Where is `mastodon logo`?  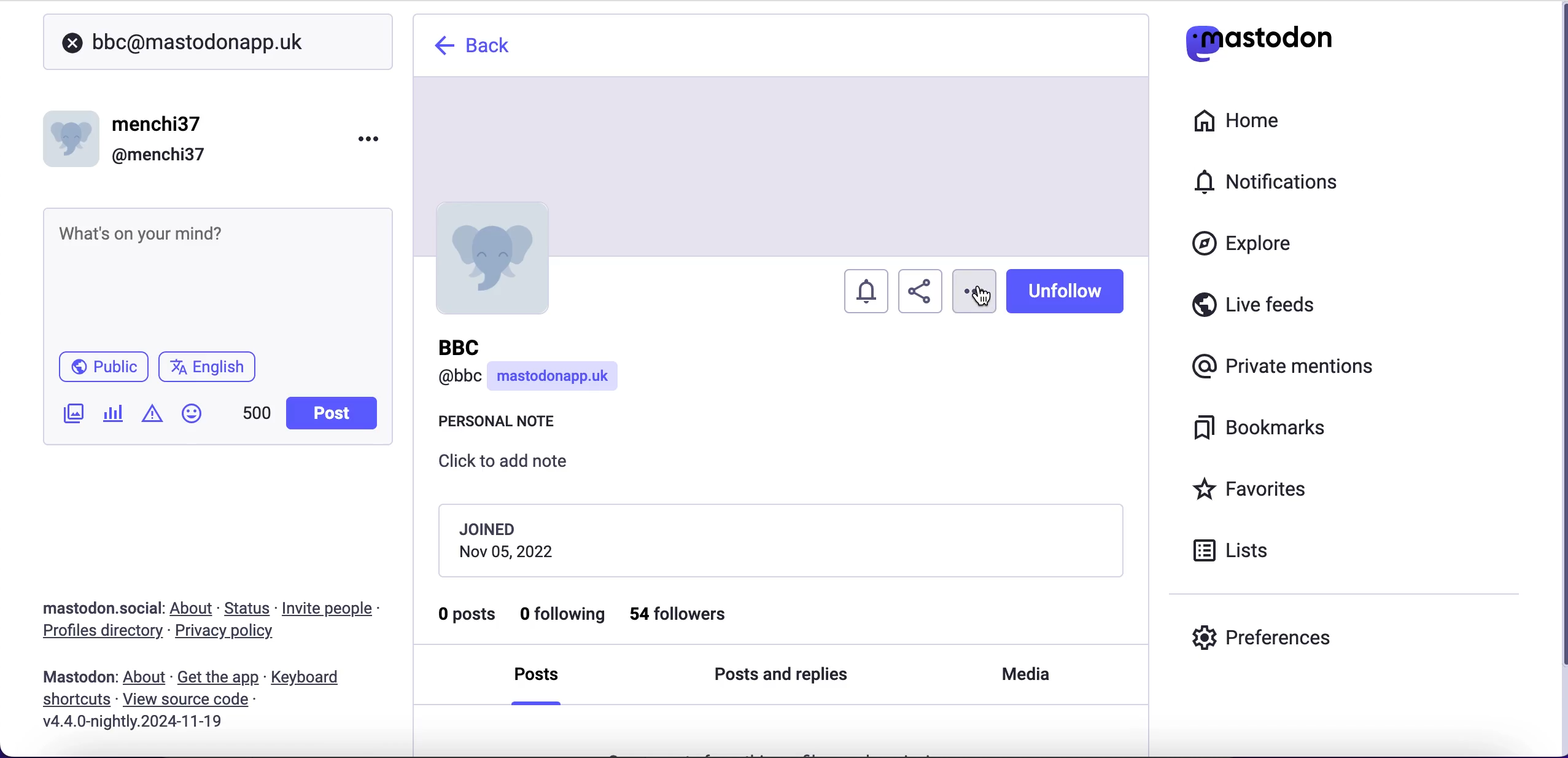 mastodon logo is located at coordinates (1259, 40).